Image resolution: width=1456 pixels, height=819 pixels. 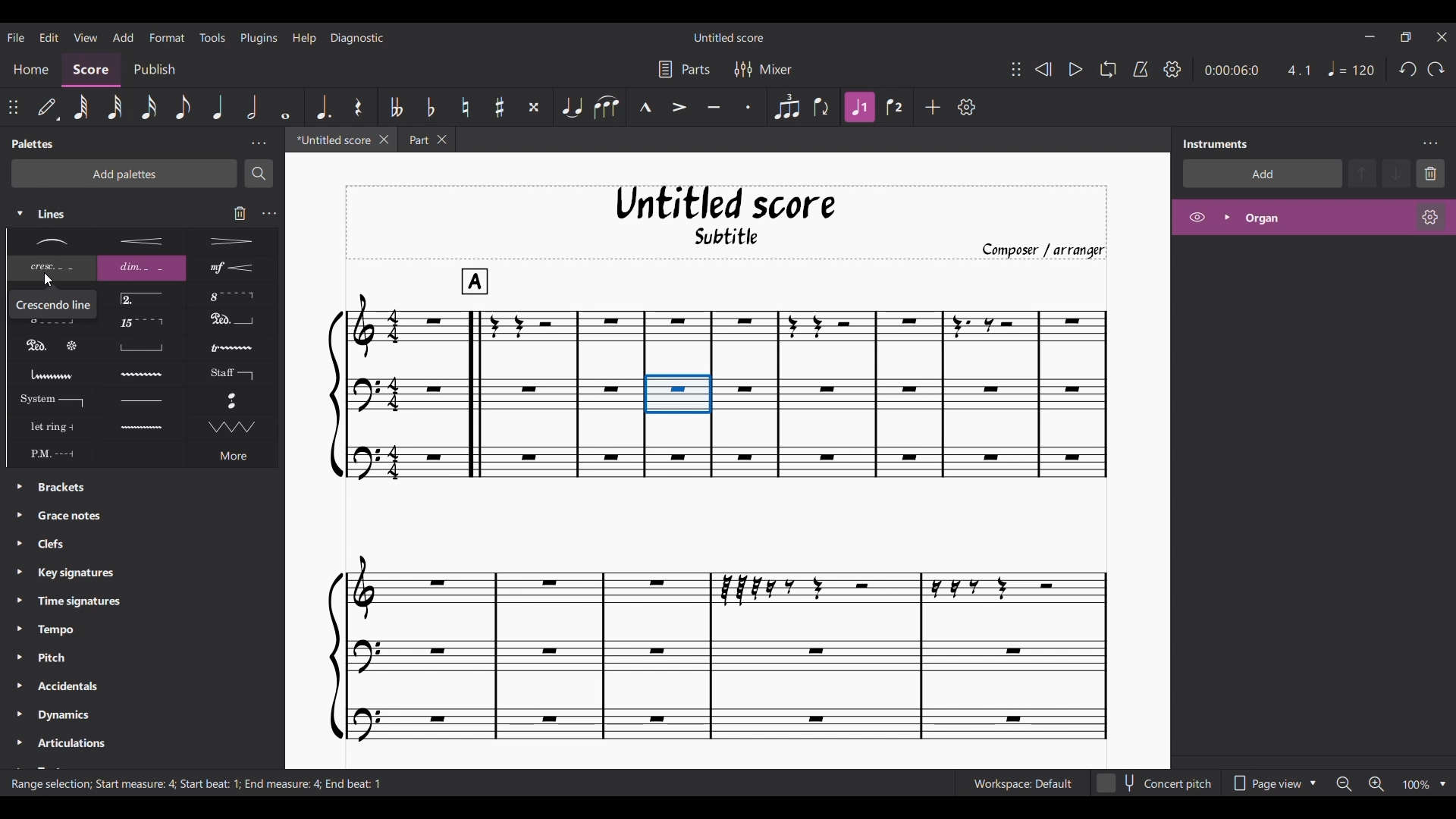 I want to click on File menu, so click(x=16, y=36).